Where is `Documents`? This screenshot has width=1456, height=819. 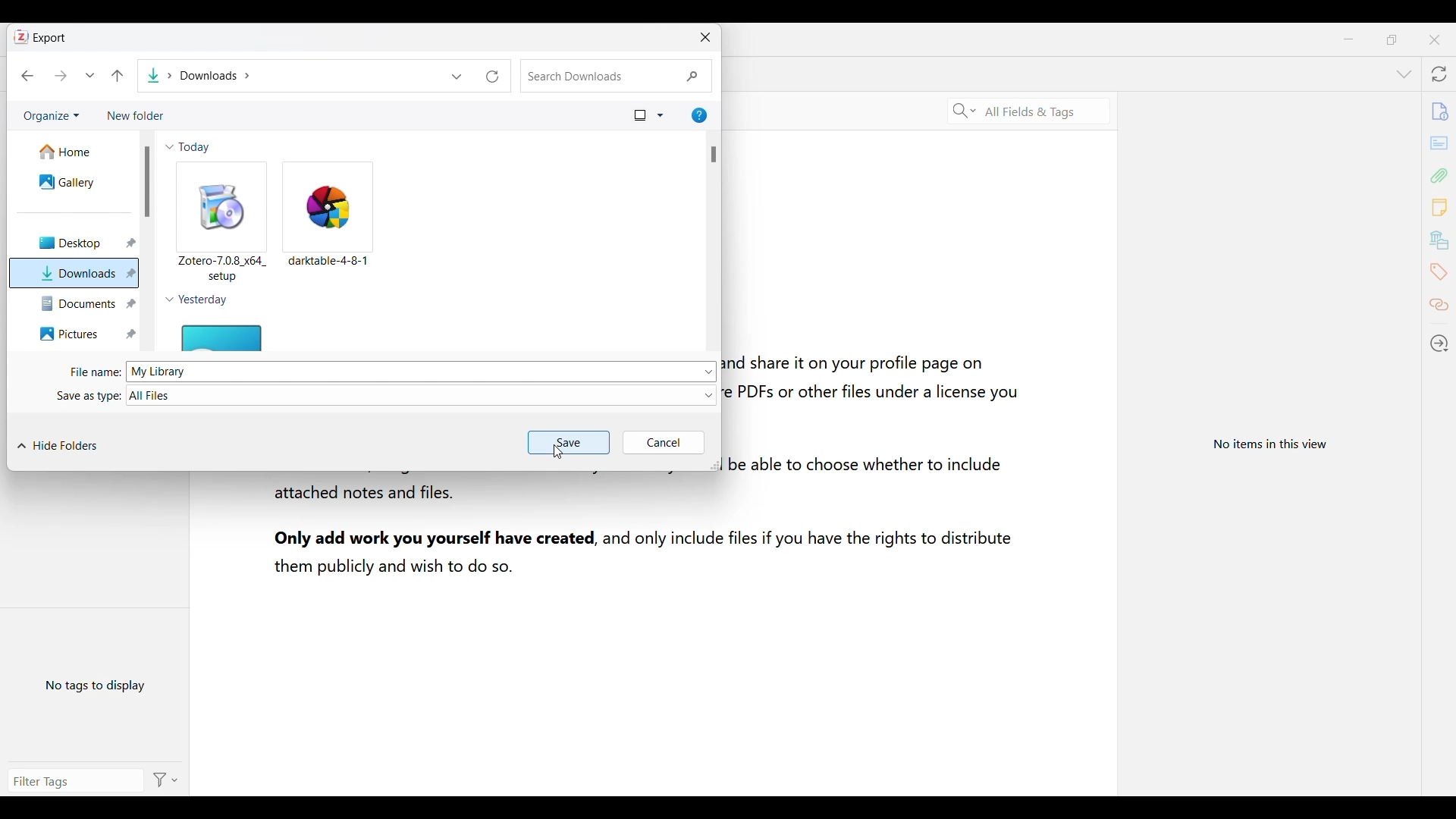
Documents is located at coordinates (73, 303).